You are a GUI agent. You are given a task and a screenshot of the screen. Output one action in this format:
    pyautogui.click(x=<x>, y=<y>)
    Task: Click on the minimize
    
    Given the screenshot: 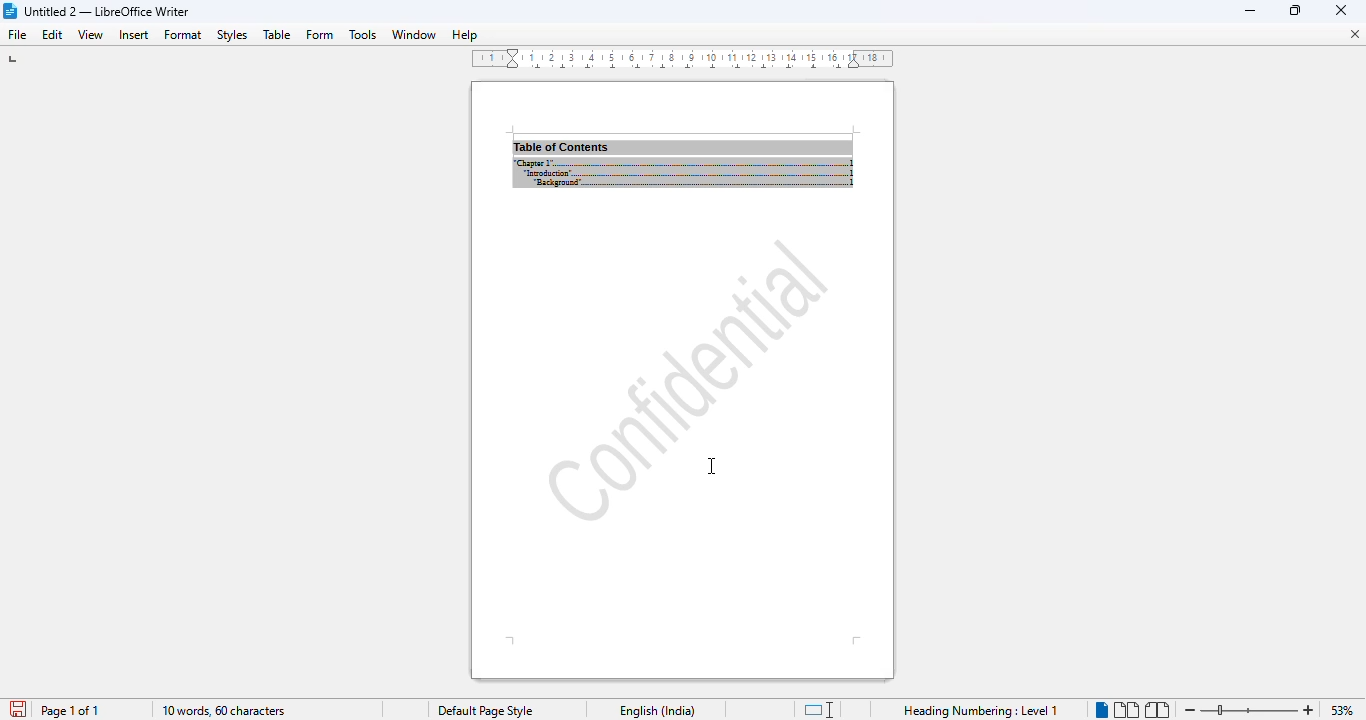 What is the action you would take?
    pyautogui.click(x=1251, y=10)
    